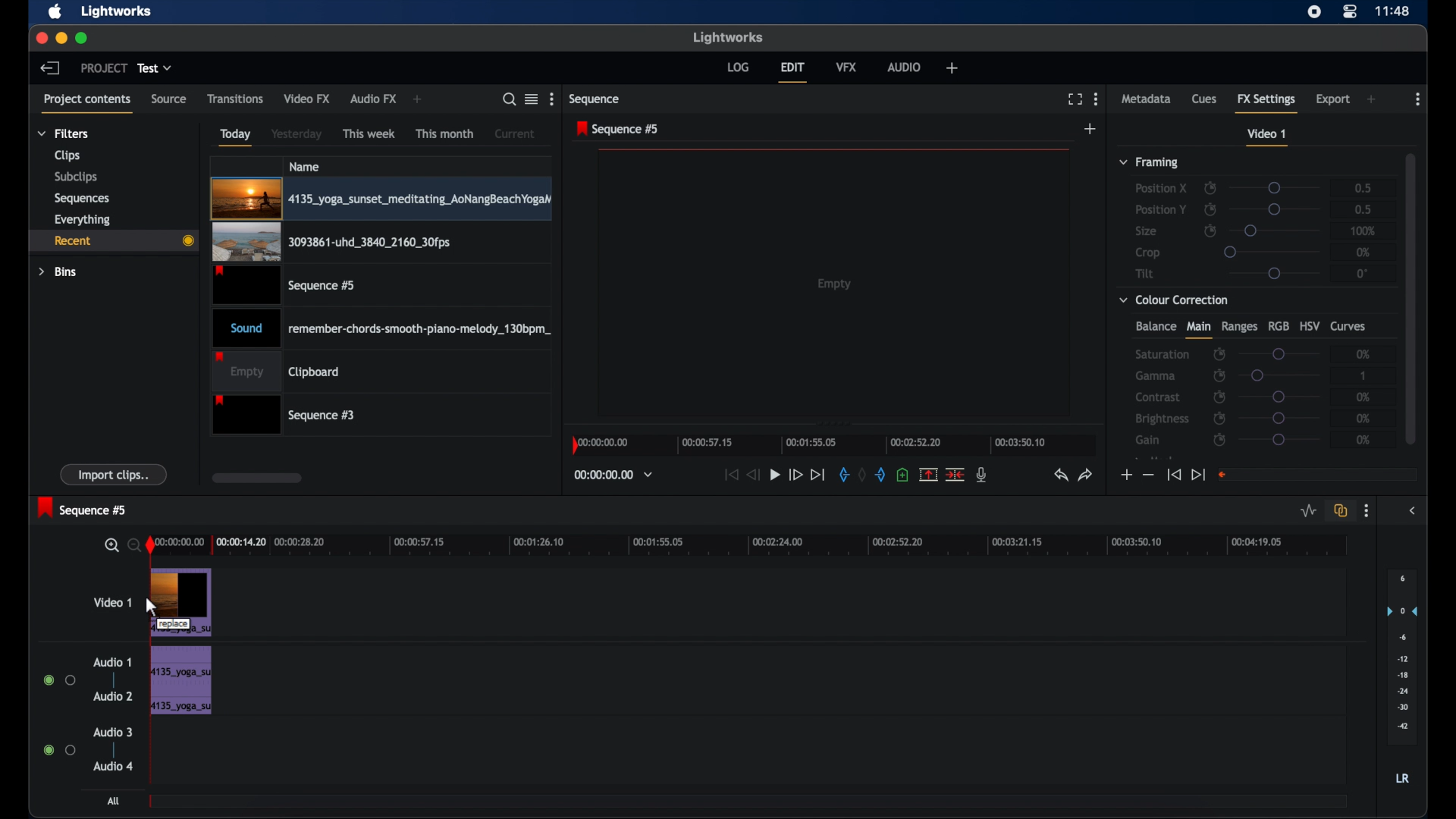 This screenshot has width=1456, height=819. I want to click on time, so click(1394, 10).